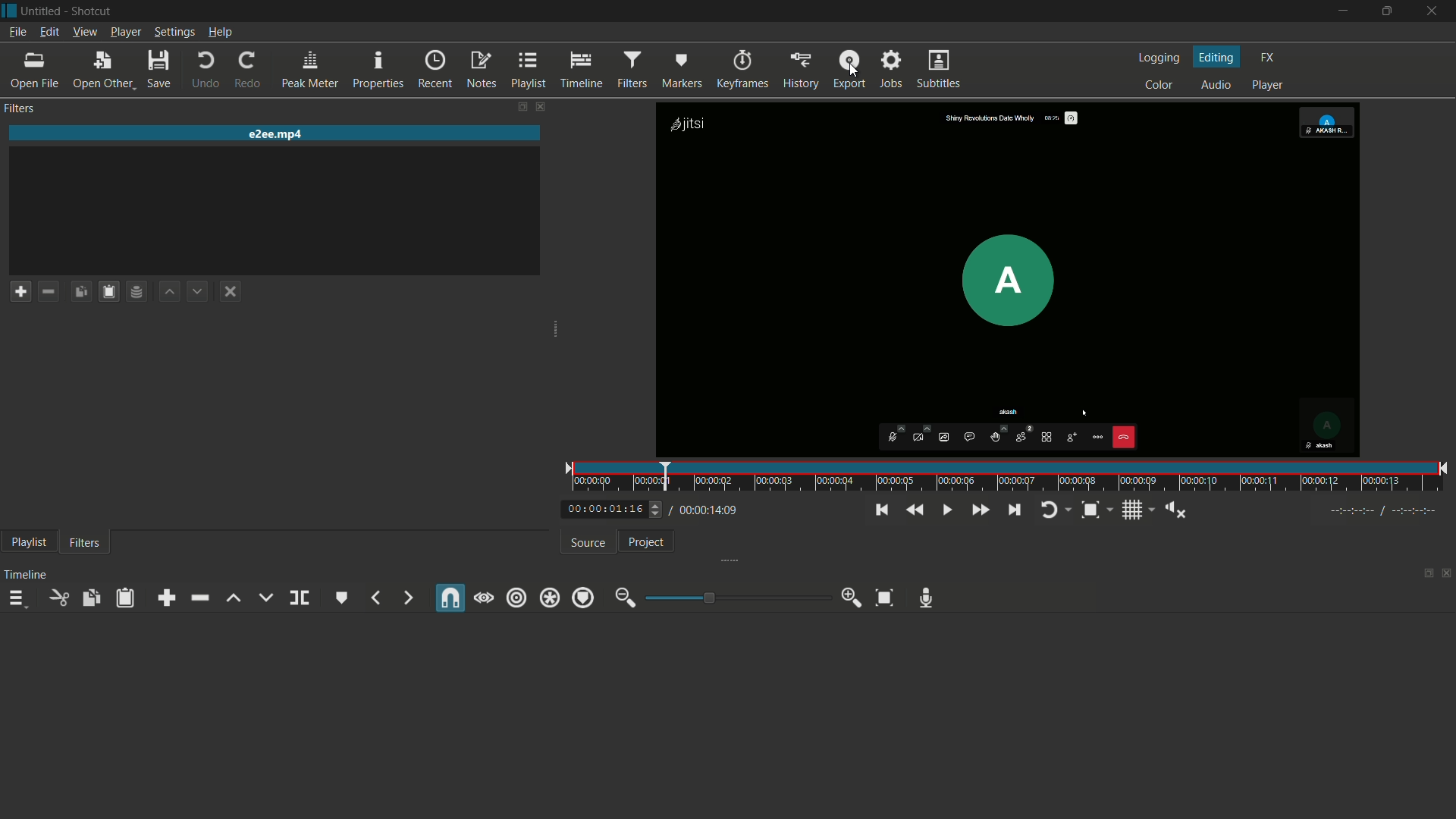  What do you see at coordinates (602, 509) in the screenshot?
I see `current time` at bounding box center [602, 509].